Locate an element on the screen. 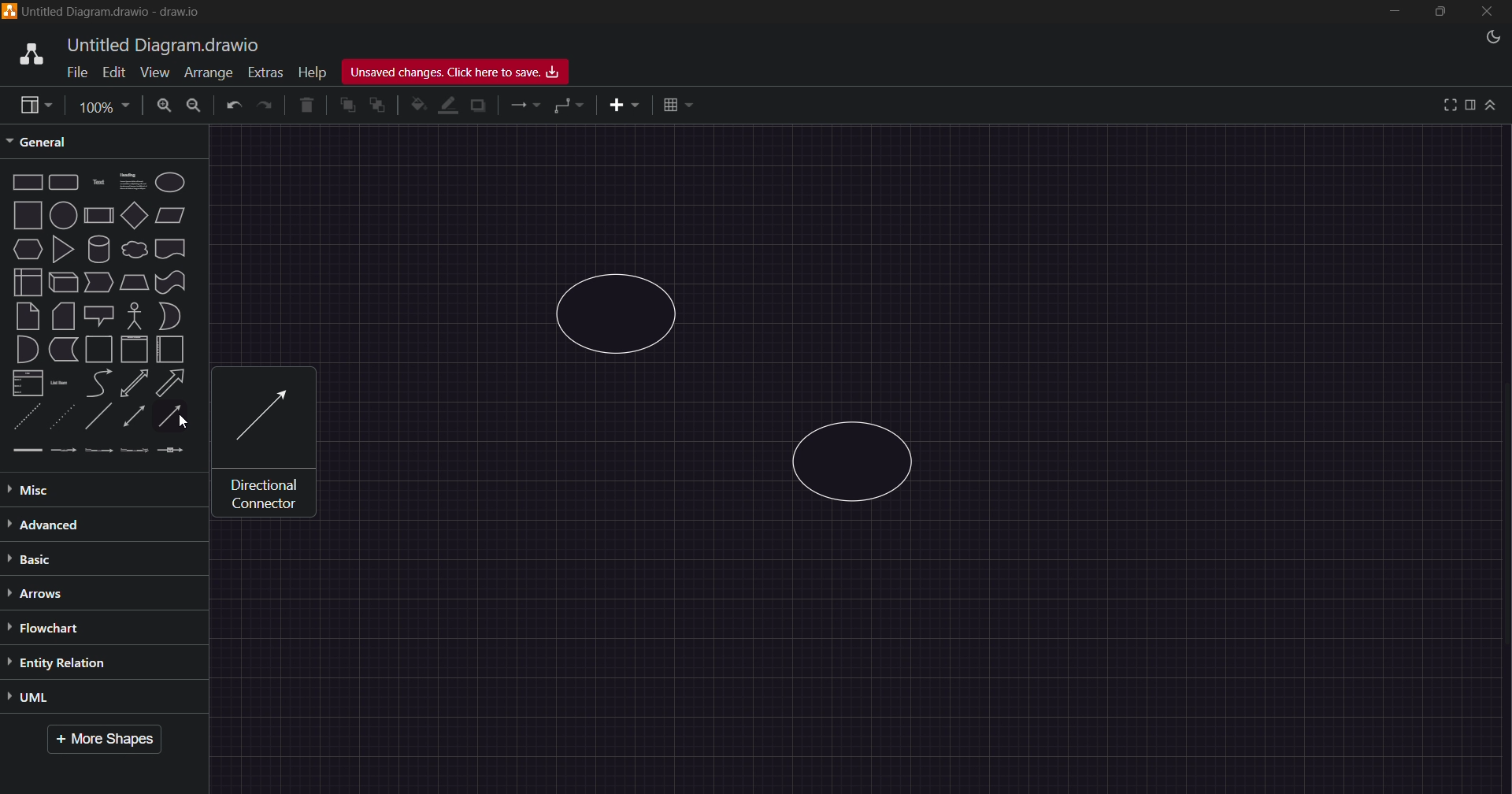 Image resolution: width=1512 pixels, height=794 pixels. insert is located at coordinates (618, 106).